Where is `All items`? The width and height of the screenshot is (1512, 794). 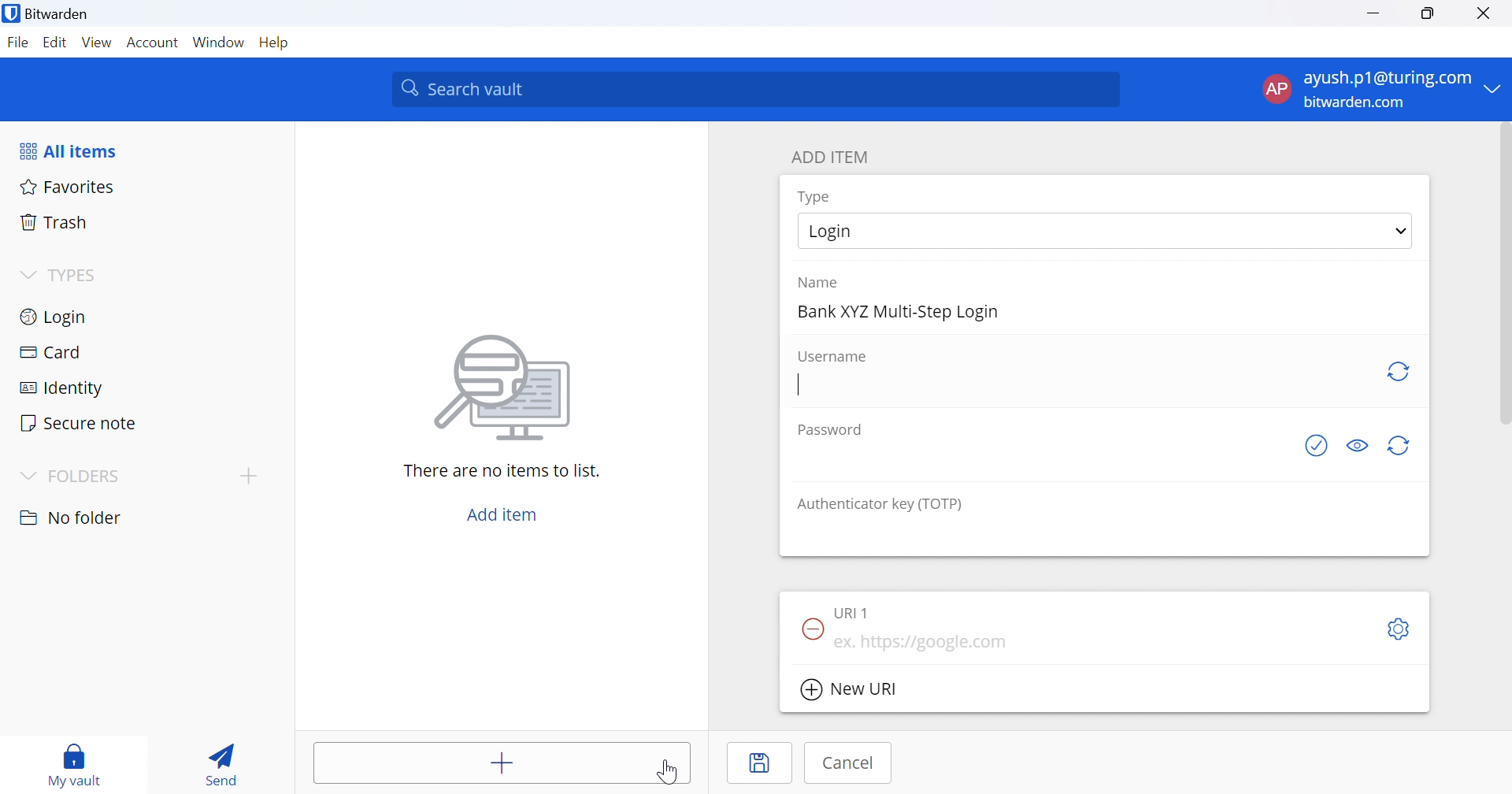
All items is located at coordinates (72, 149).